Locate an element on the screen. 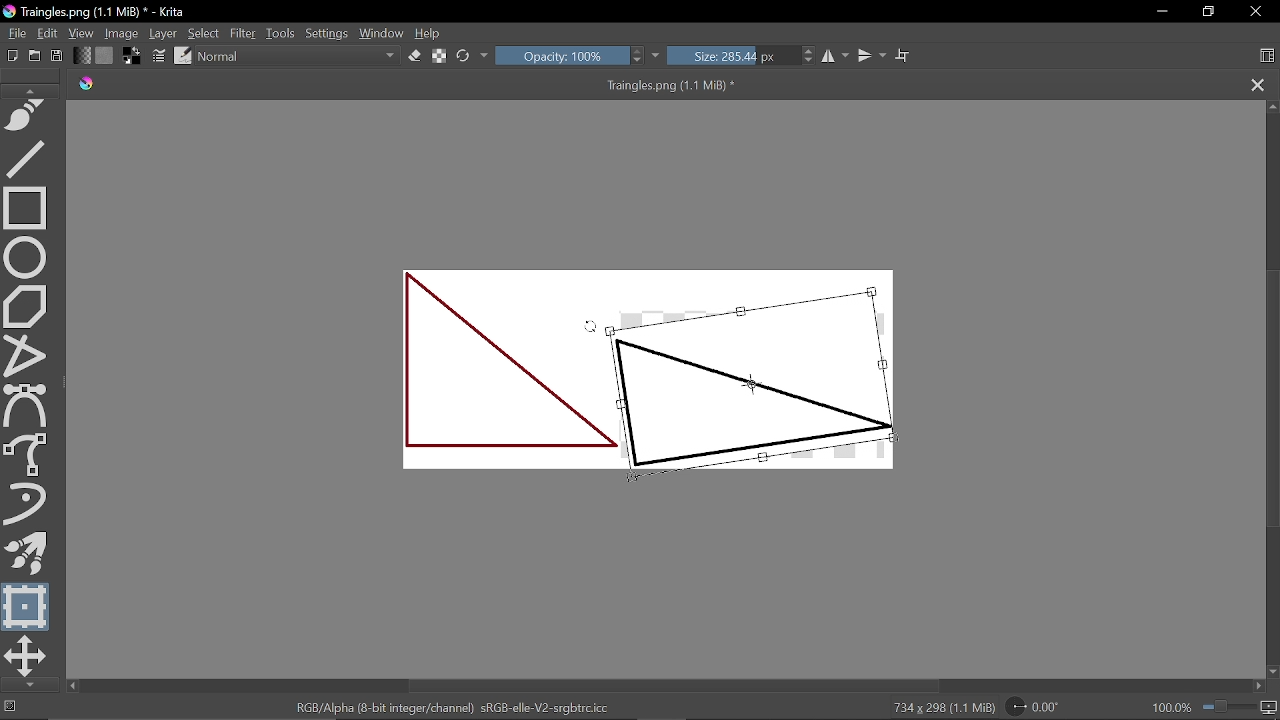 Image resolution: width=1280 pixels, height=720 pixels. Eraser is located at coordinates (416, 56).